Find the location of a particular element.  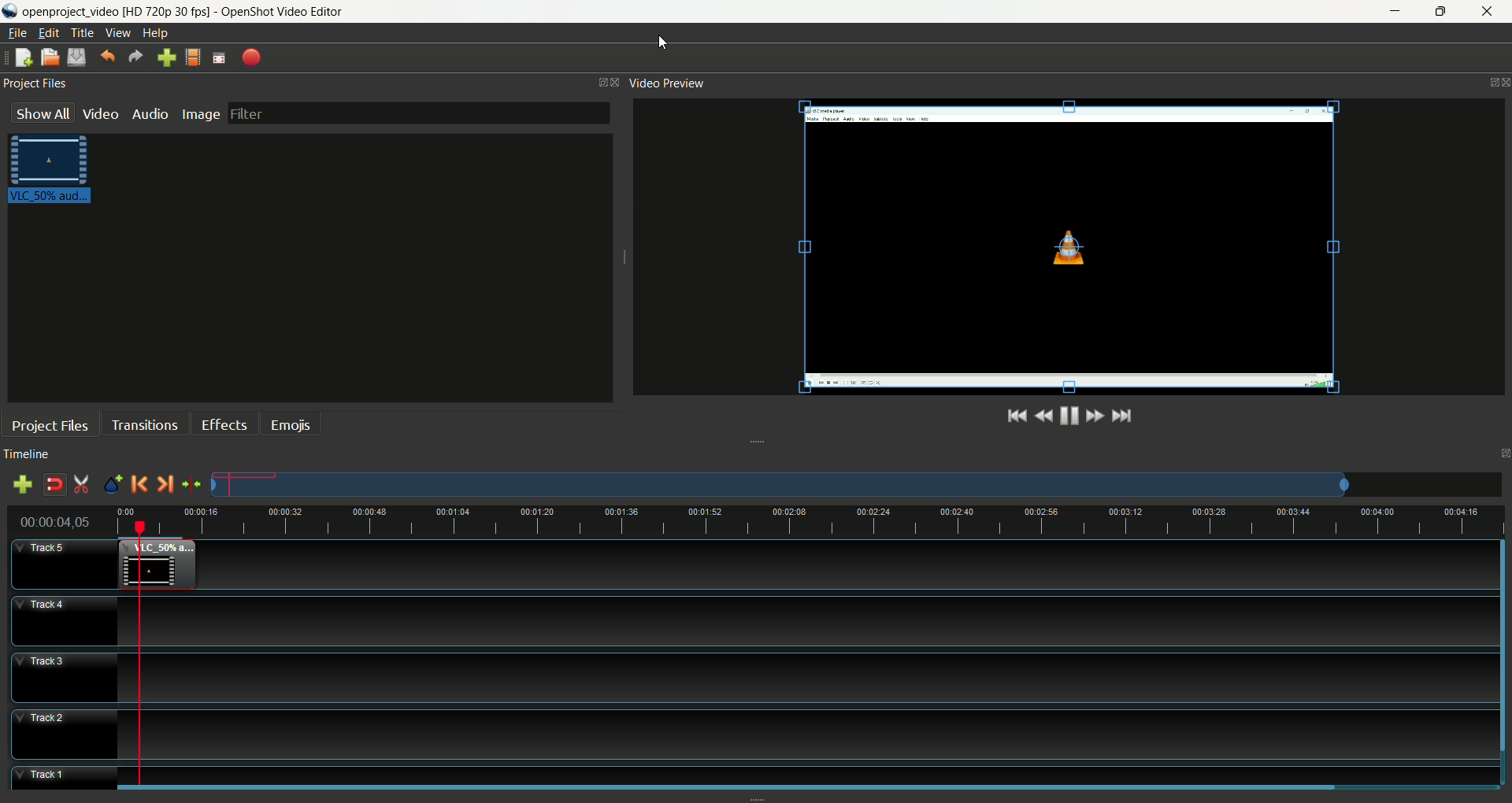

import file is located at coordinates (165, 57).